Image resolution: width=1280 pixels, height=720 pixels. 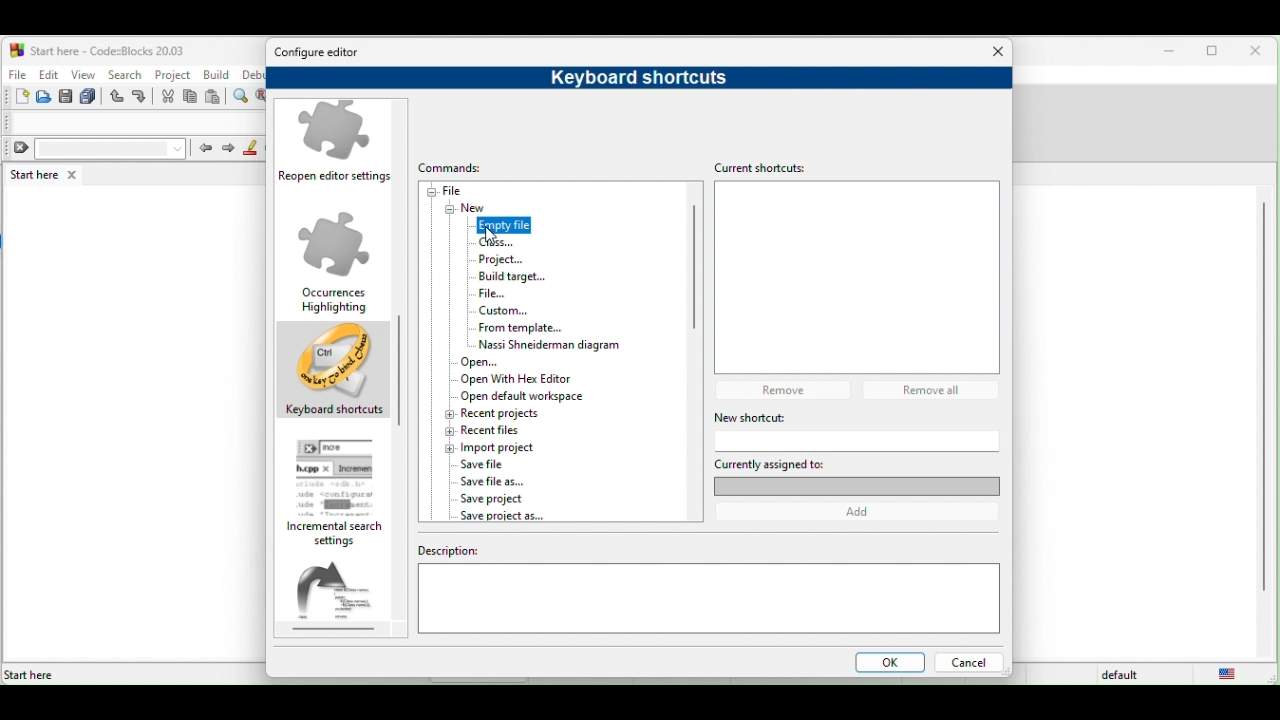 I want to click on open with hex editor, so click(x=529, y=379).